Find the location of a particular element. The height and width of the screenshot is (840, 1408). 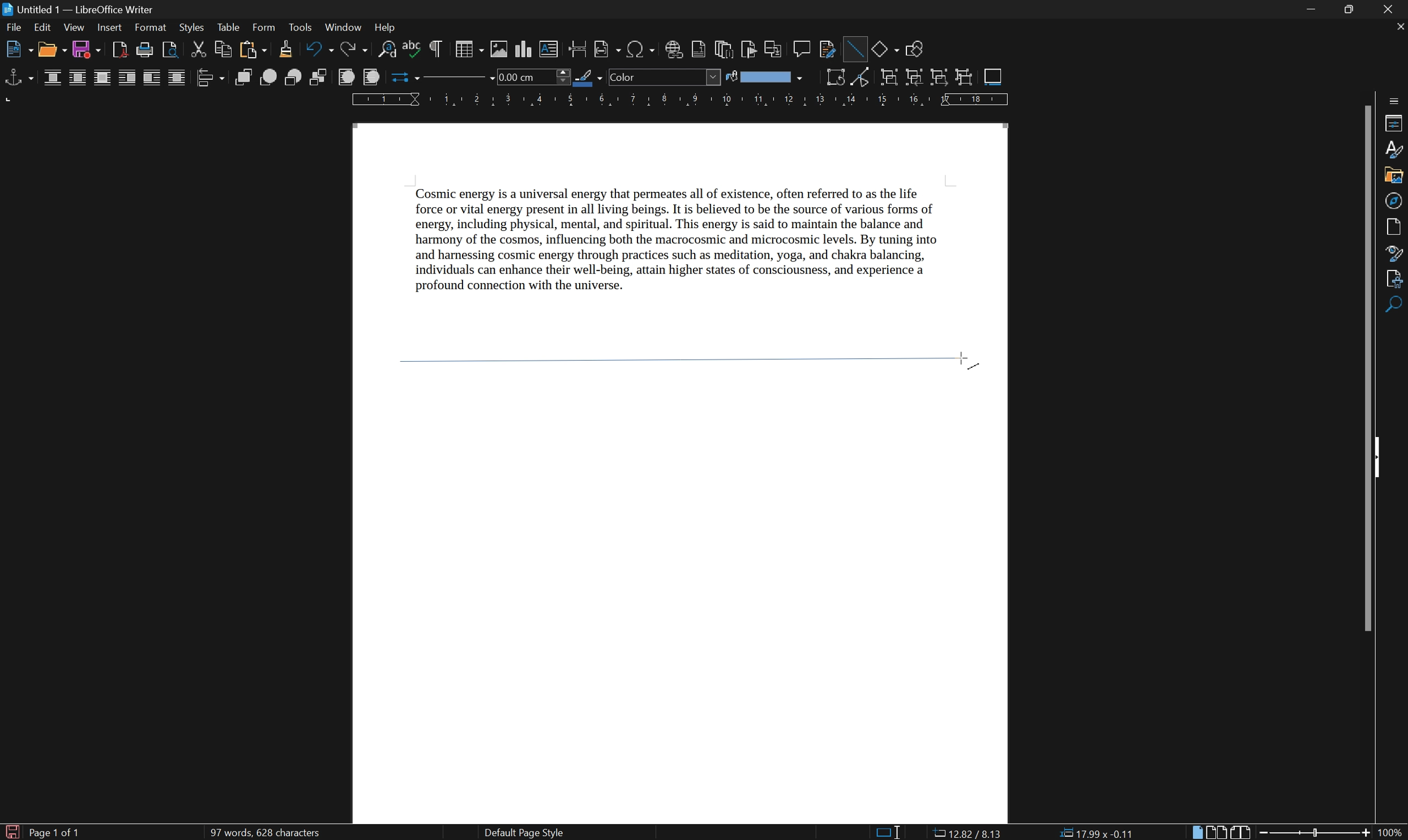

cut is located at coordinates (200, 49).